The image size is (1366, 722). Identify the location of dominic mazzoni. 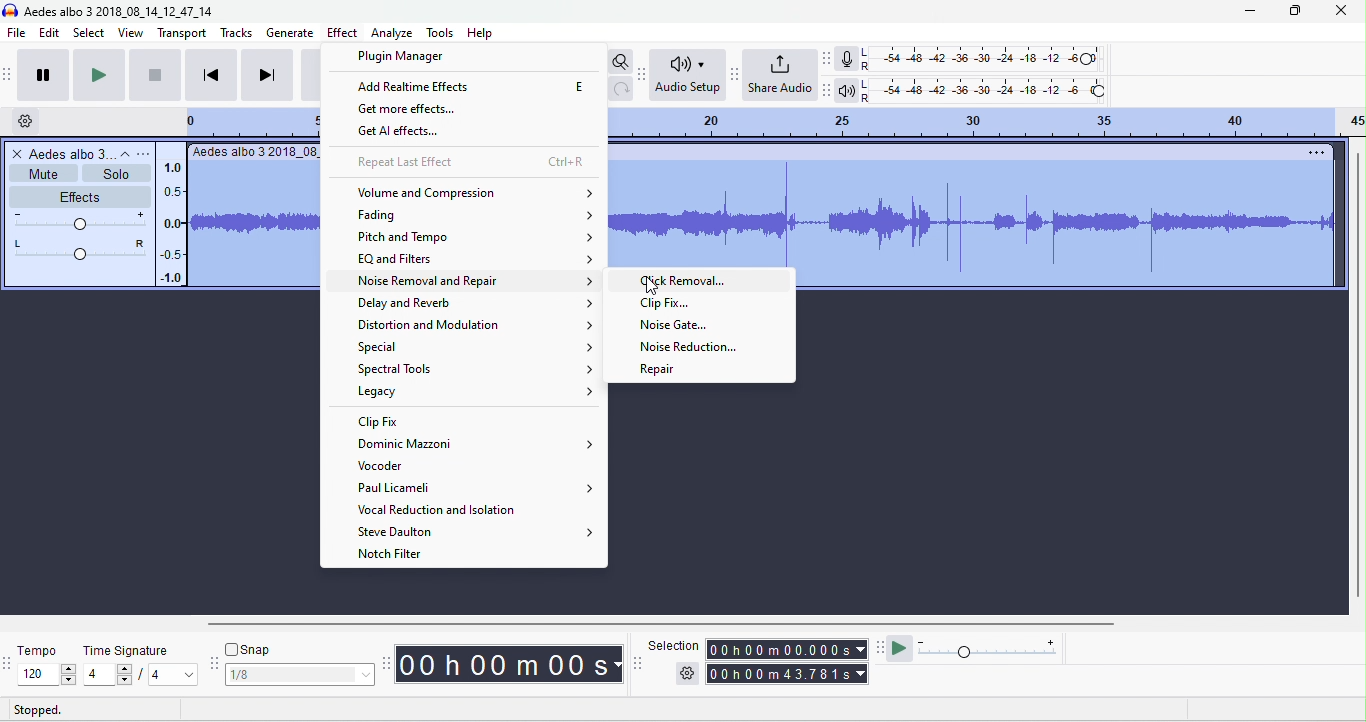
(474, 444).